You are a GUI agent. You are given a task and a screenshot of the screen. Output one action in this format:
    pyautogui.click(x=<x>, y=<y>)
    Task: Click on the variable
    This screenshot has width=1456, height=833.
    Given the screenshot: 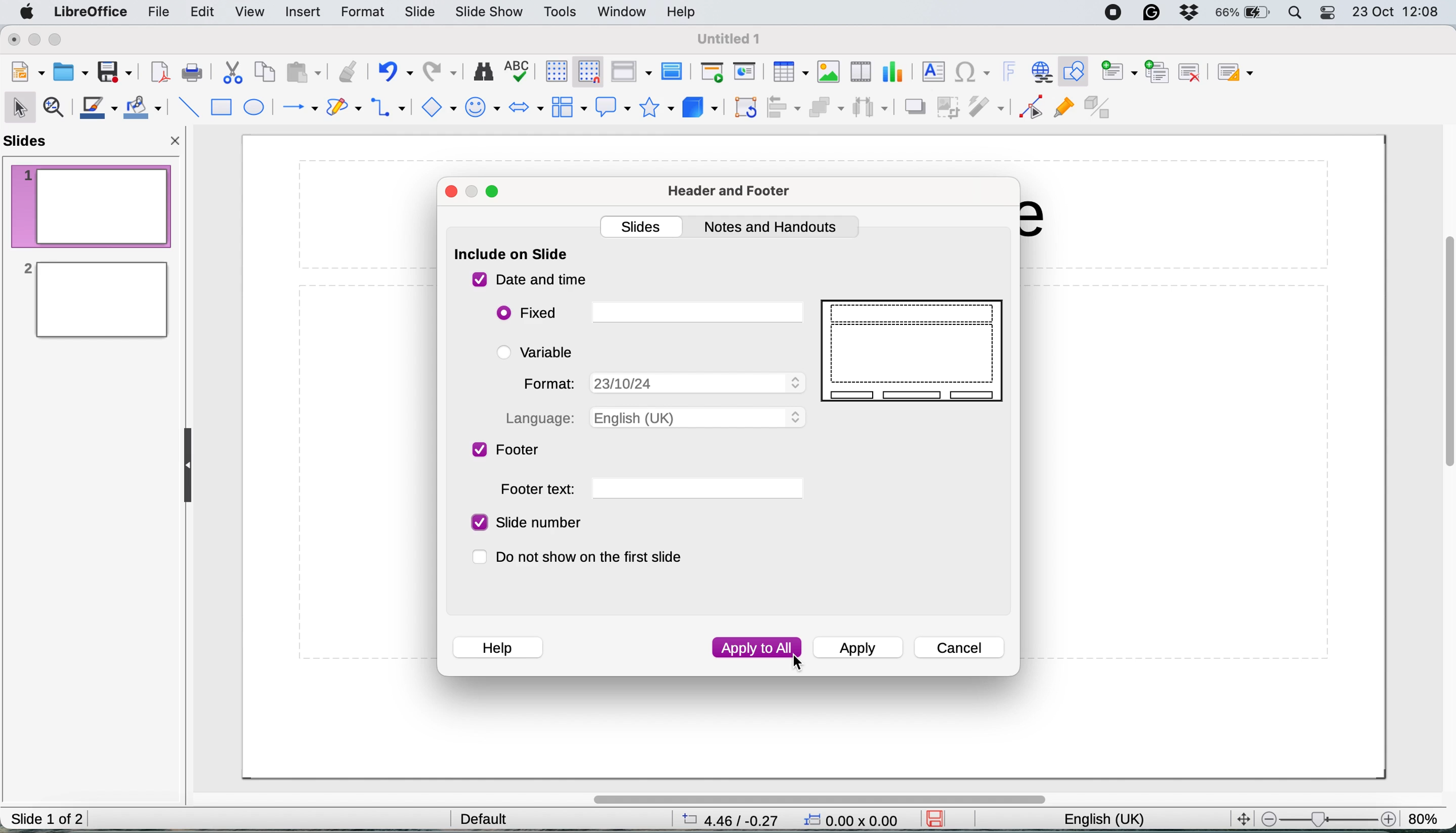 What is the action you would take?
    pyautogui.click(x=544, y=352)
    